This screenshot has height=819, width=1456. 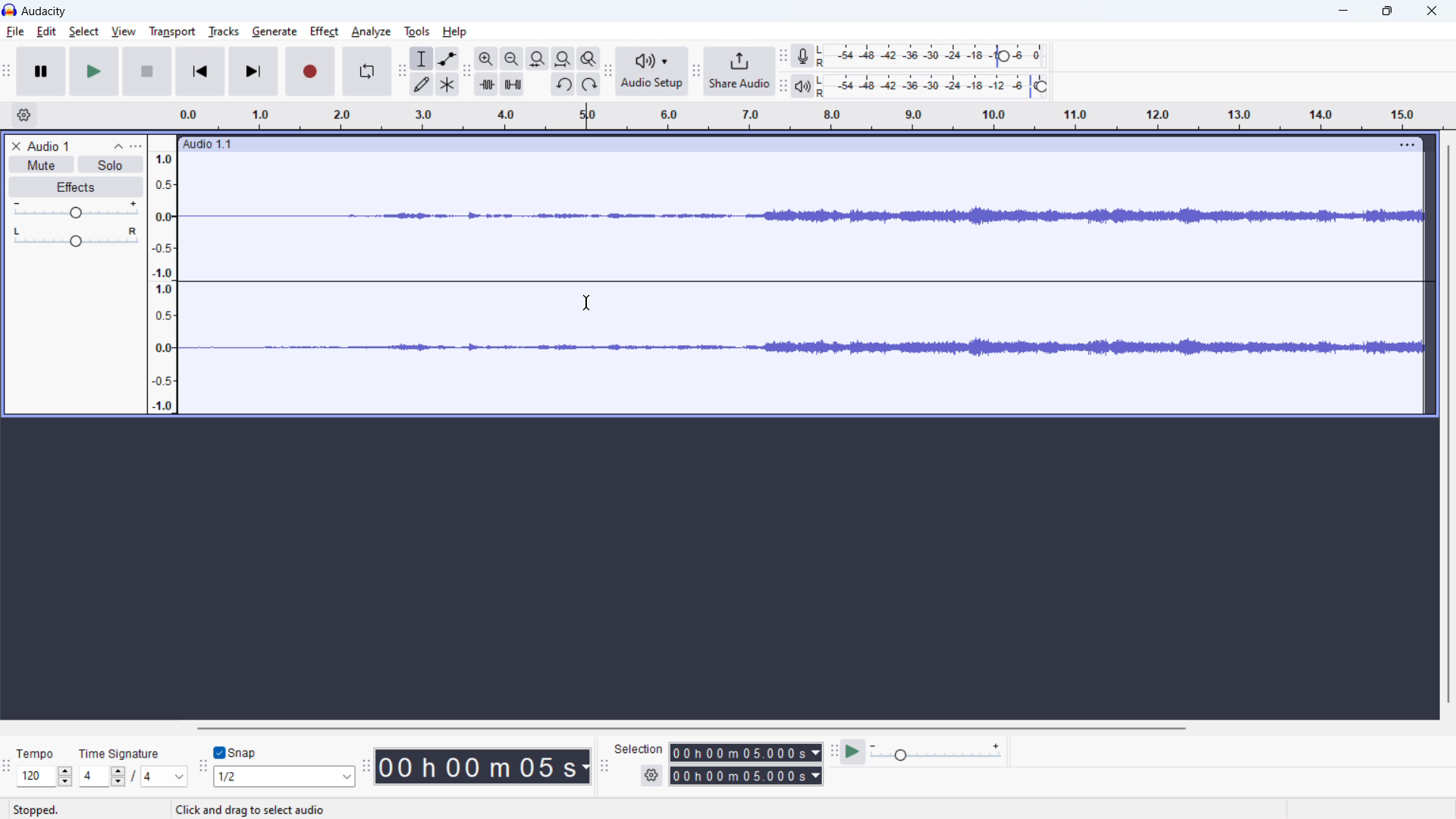 What do you see at coordinates (486, 83) in the screenshot?
I see `trim audio outside selection` at bounding box center [486, 83].